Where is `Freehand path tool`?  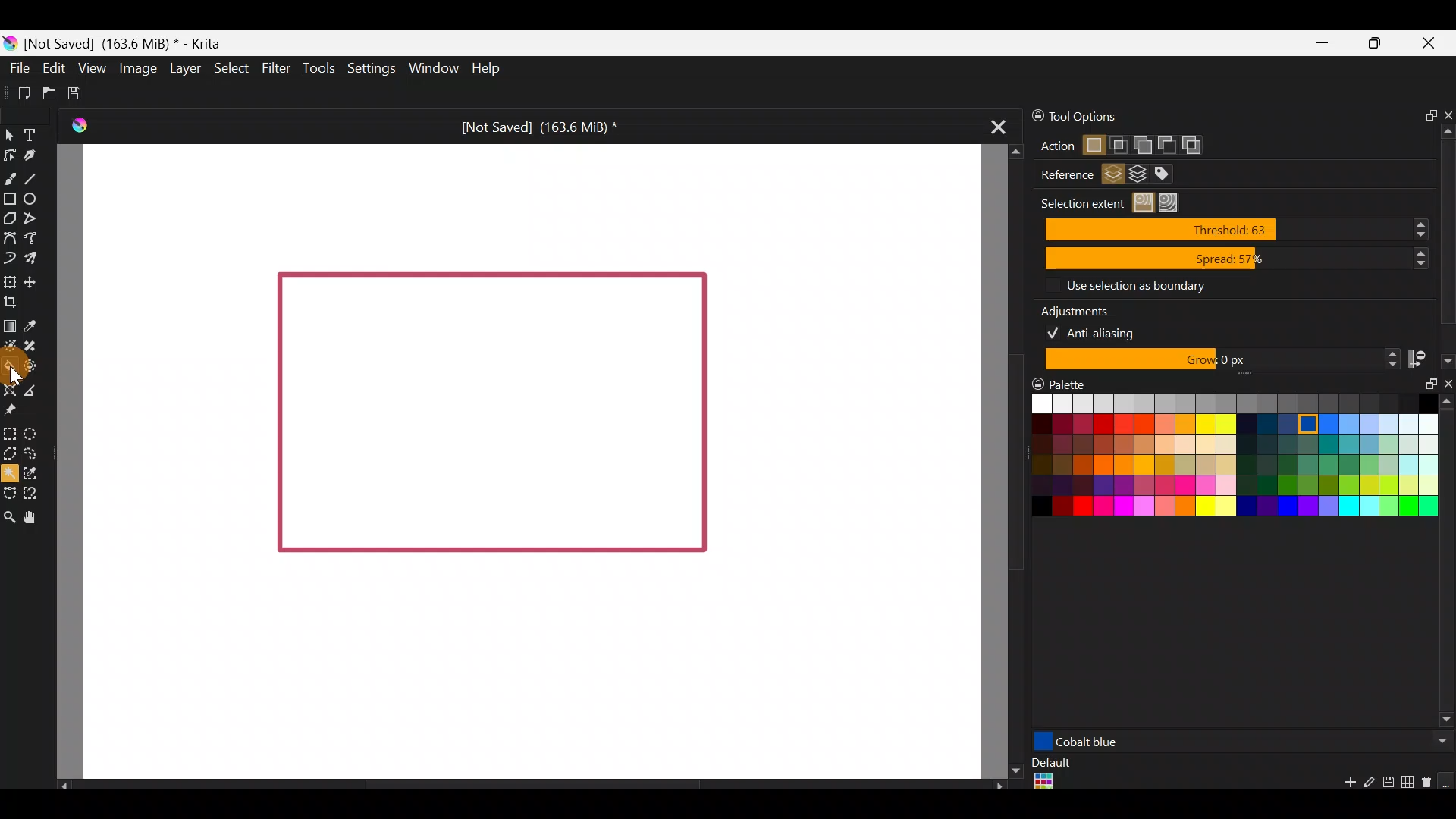
Freehand path tool is located at coordinates (34, 237).